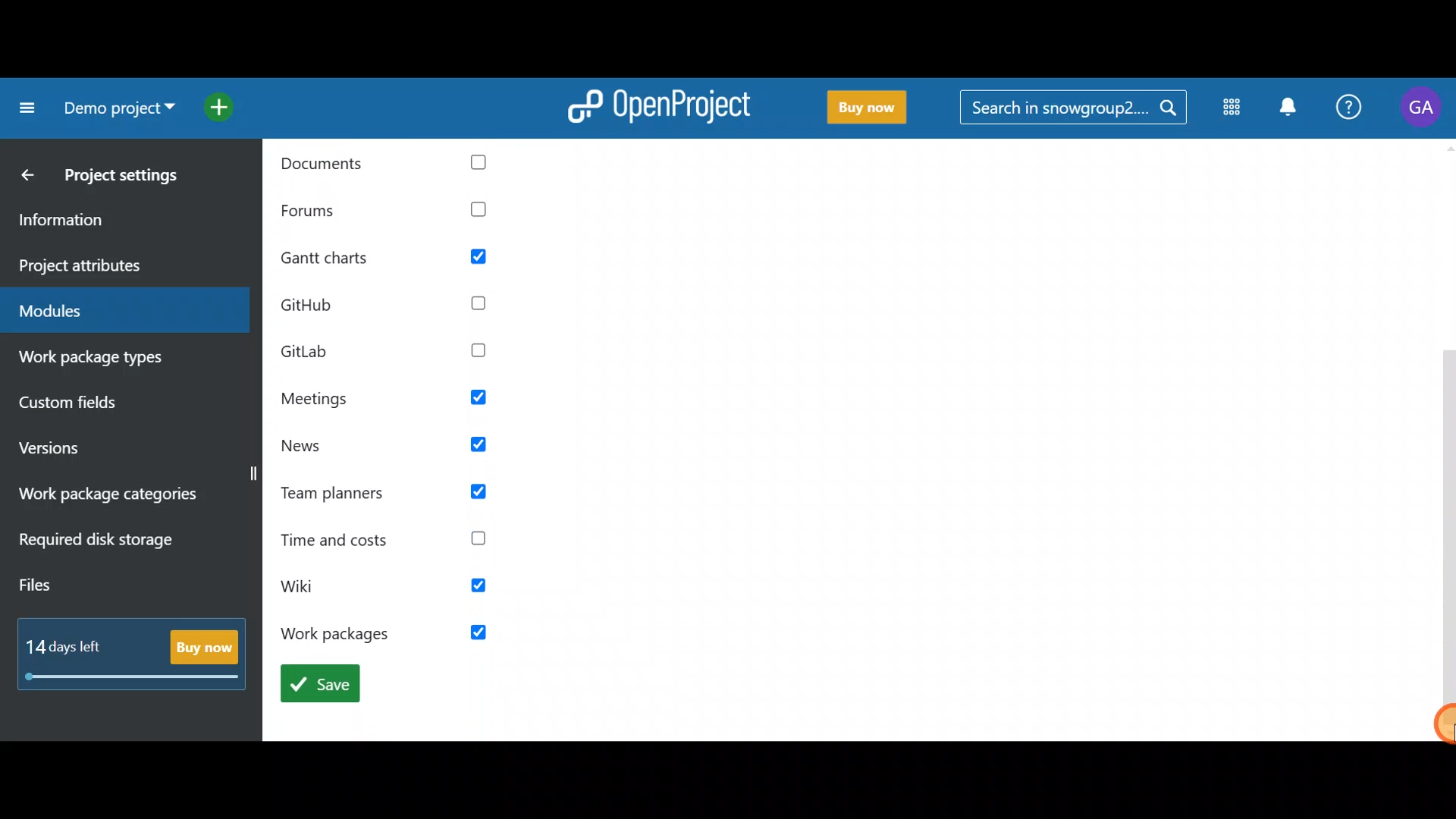  I want to click on Buy now, so click(136, 649).